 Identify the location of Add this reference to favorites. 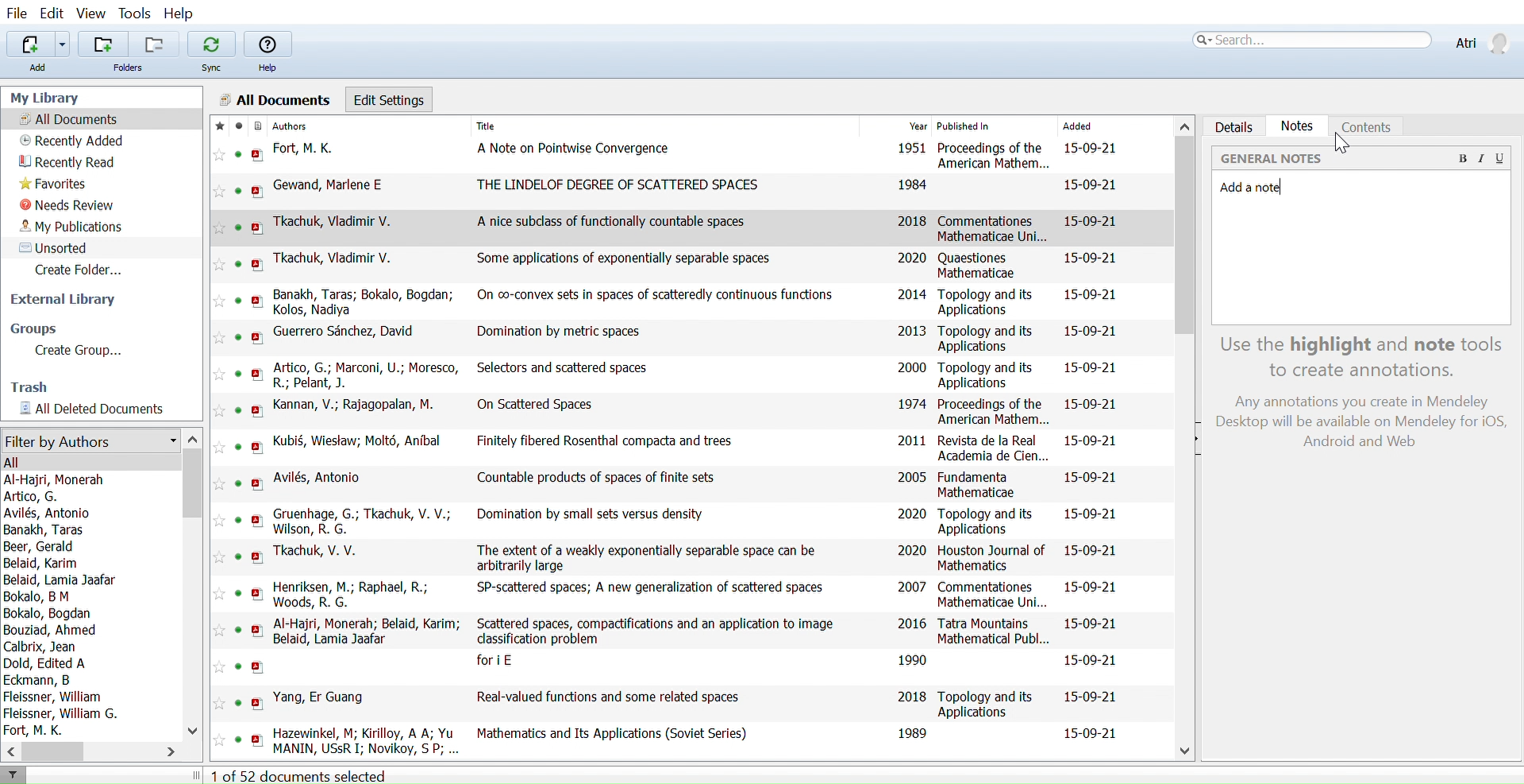
(220, 191).